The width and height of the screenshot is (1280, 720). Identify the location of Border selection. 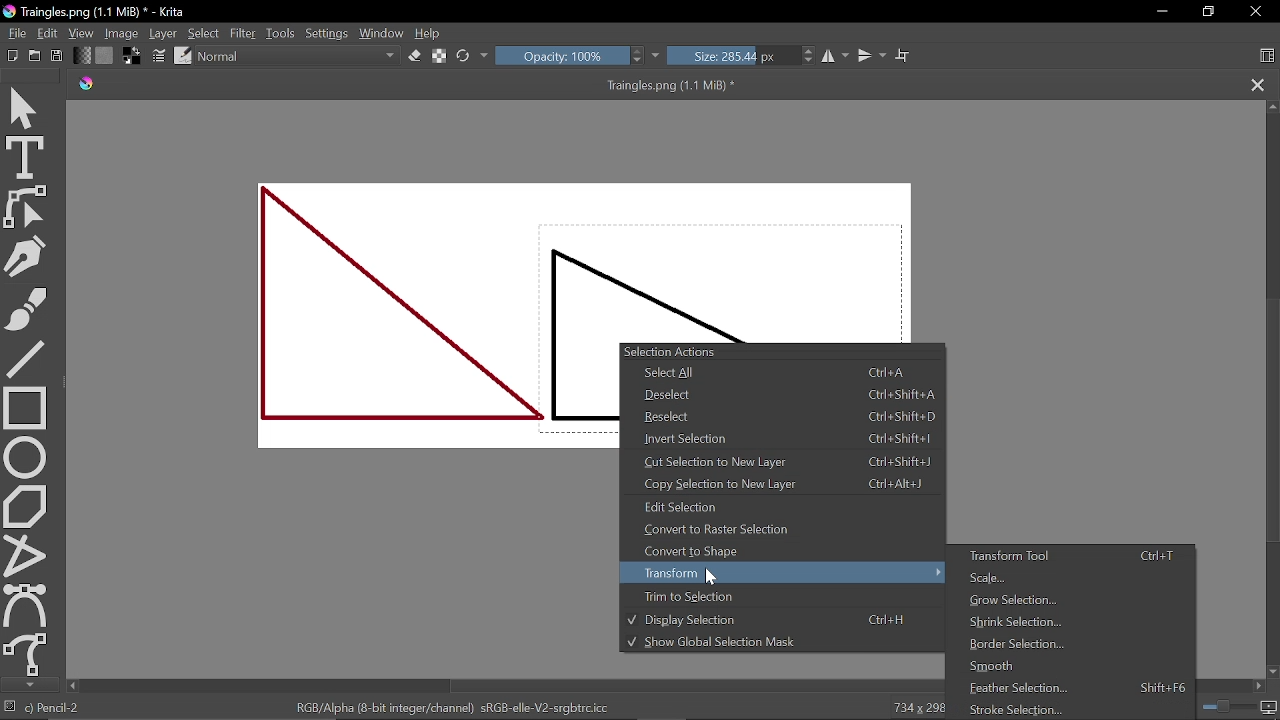
(1069, 646).